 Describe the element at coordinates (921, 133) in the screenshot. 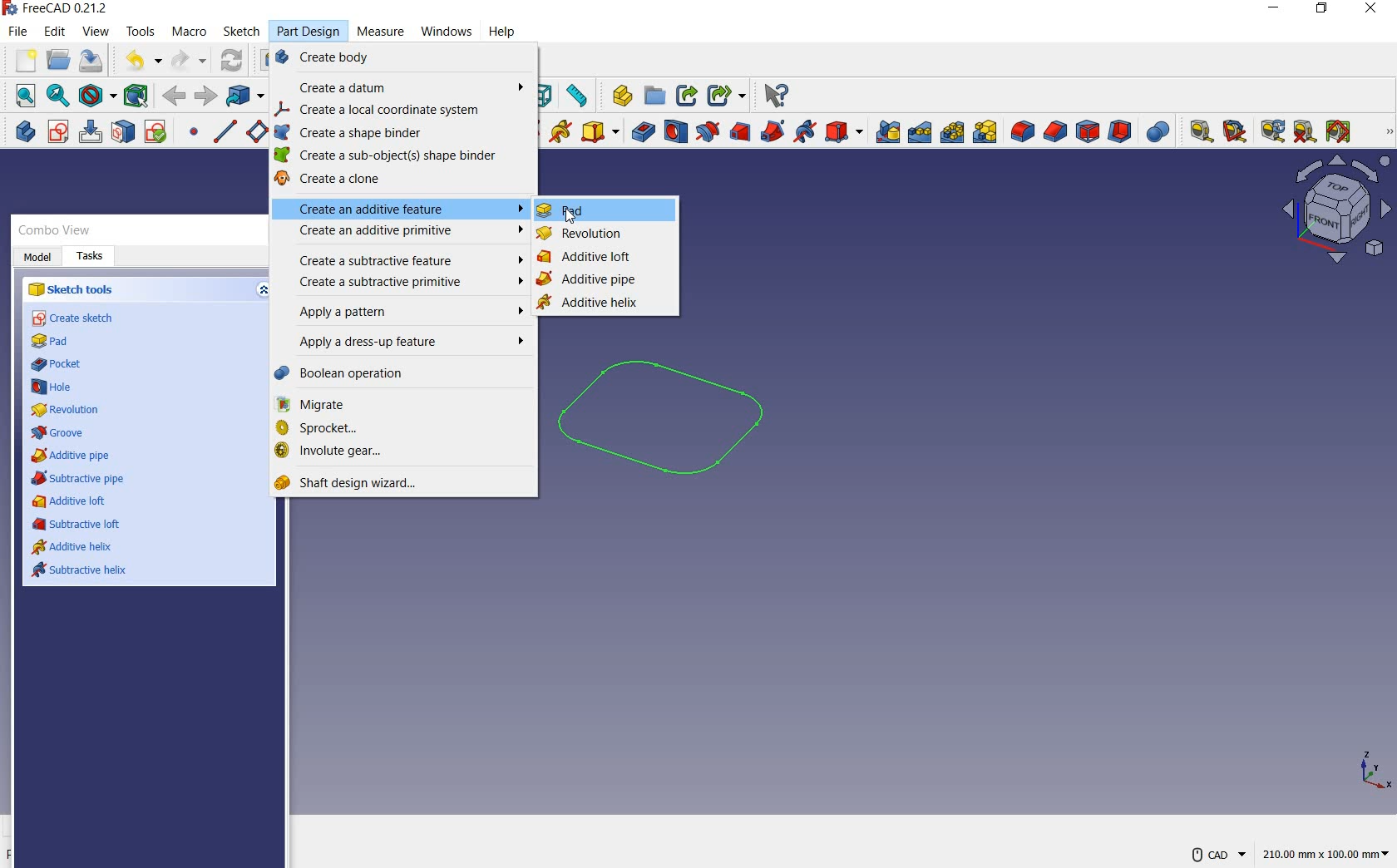

I see `linearpattern` at that location.